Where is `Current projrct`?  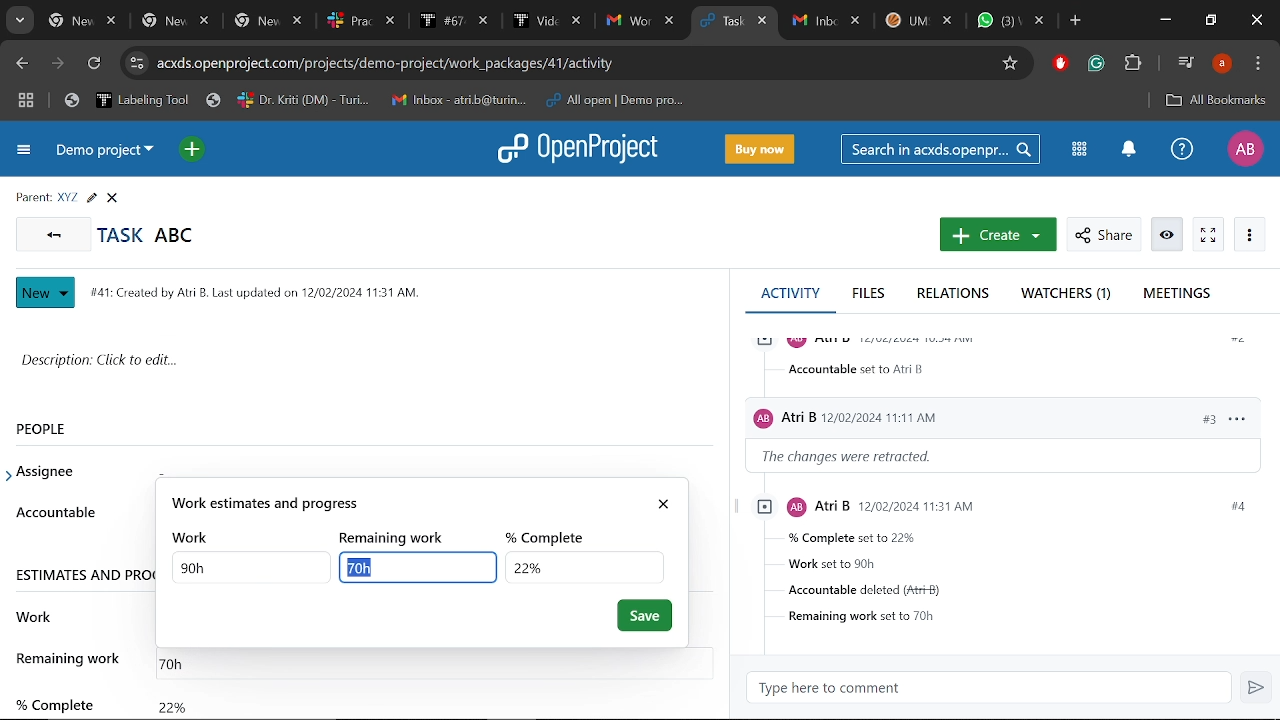
Current projrct is located at coordinates (107, 154).